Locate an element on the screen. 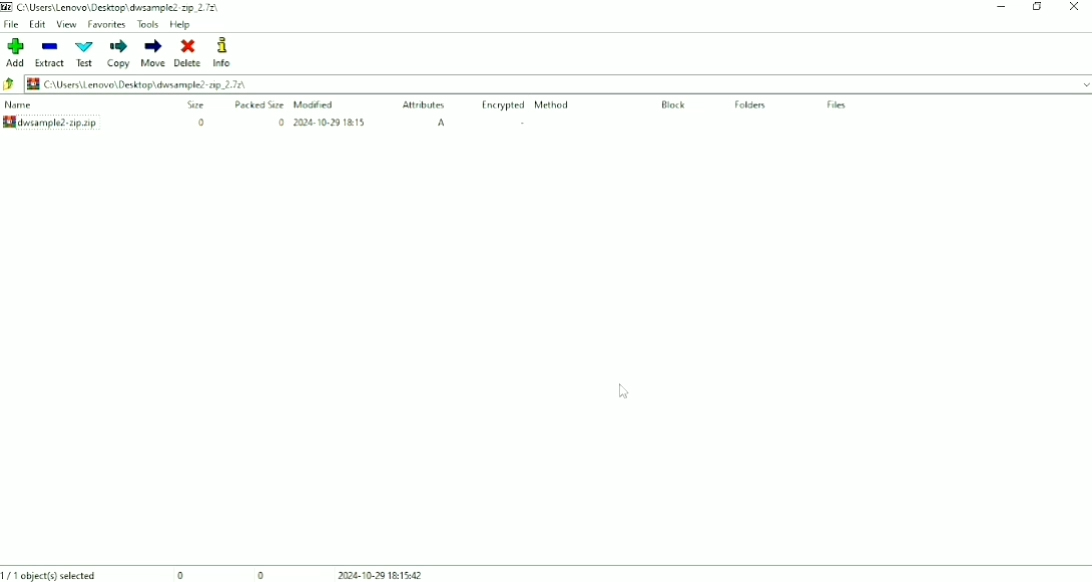  0     0 is located at coordinates (222, 574).